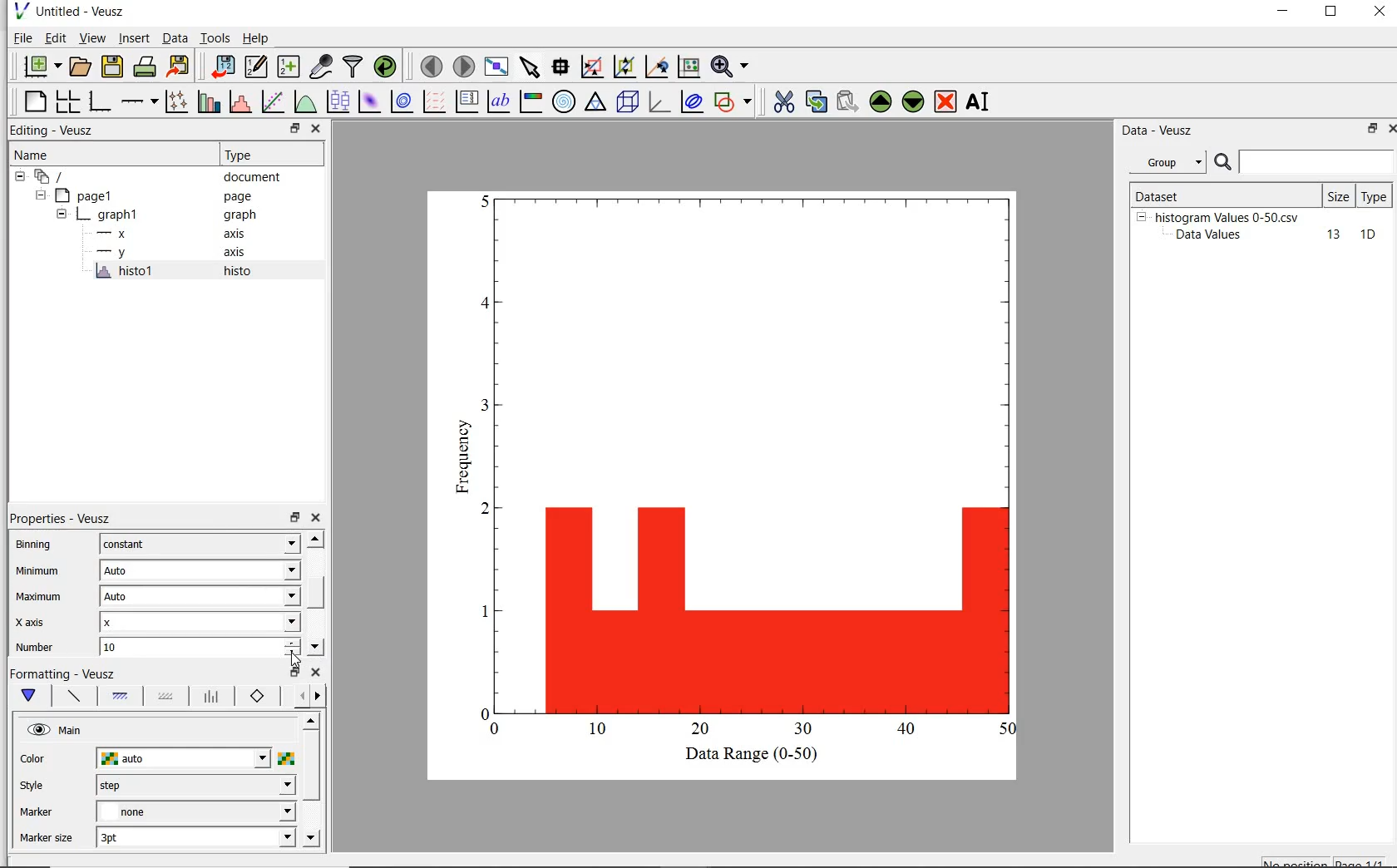 The image size is (1397, 868). I want to click on polar graph, so click(564, 101).